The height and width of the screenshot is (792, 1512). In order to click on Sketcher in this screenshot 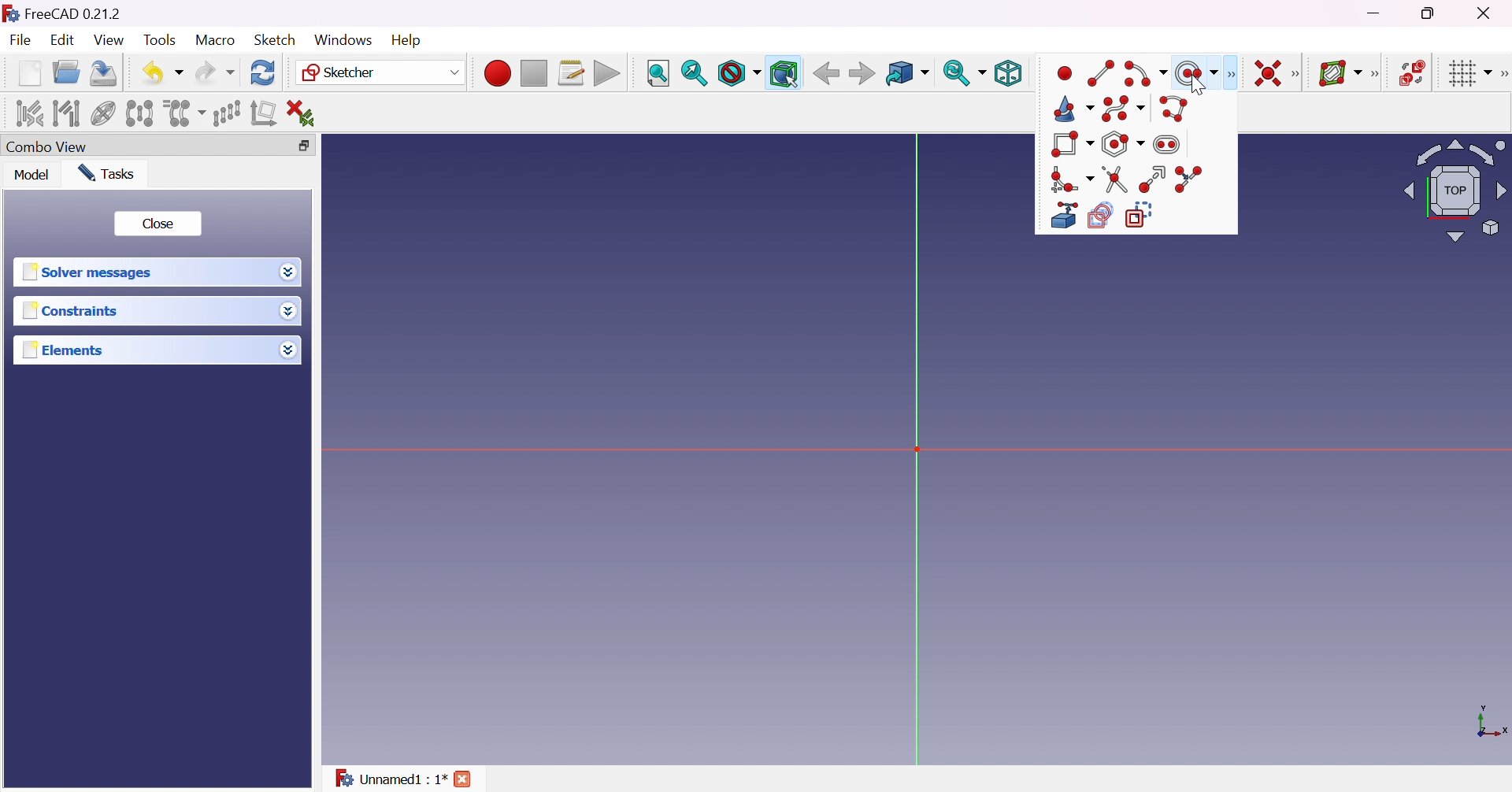, I will do `click(378, 72)`.